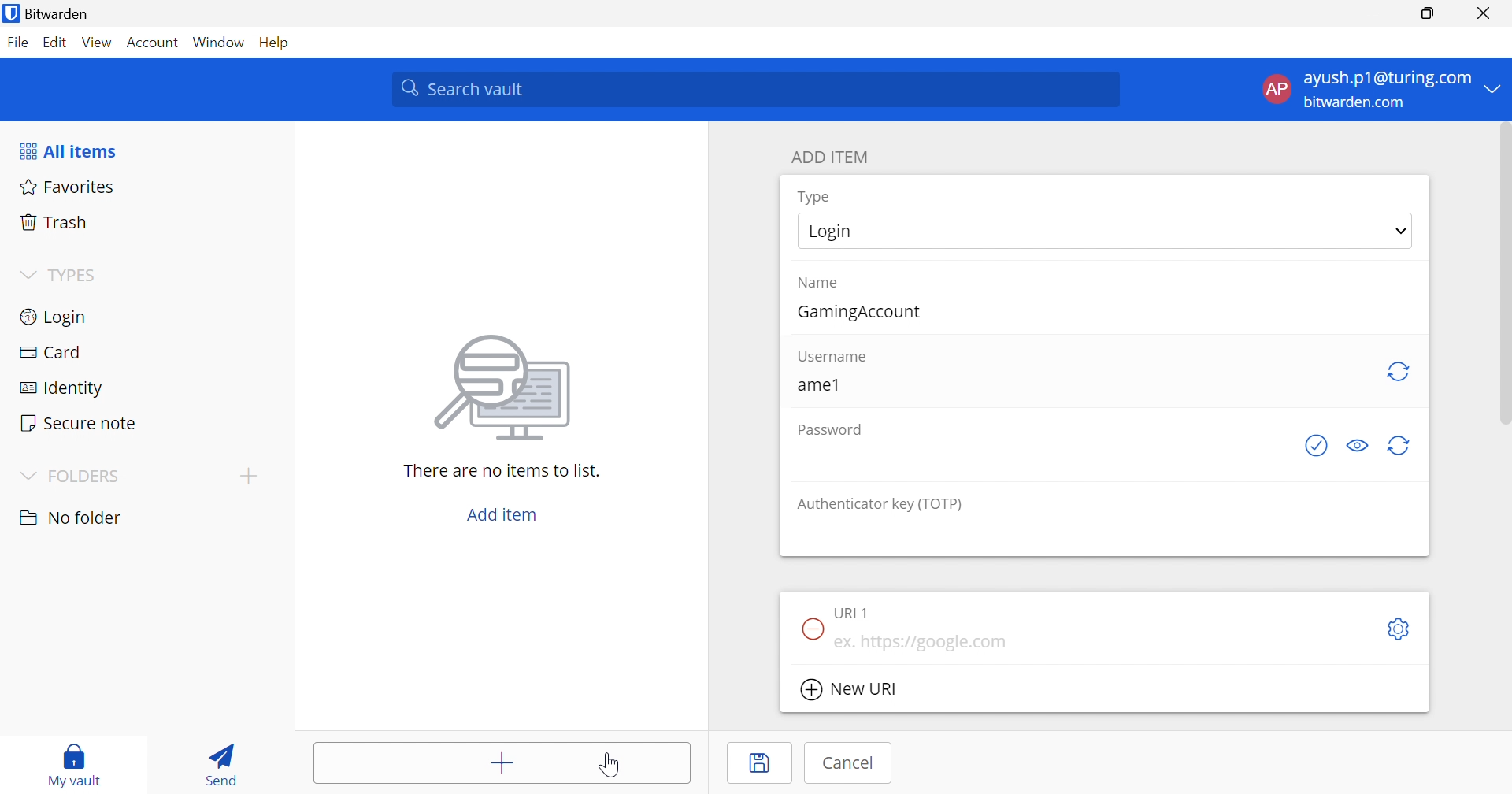 The image size is (1512, 794). What do you see at coordinates (834, 232) in the screenshot?
I see `Login` at bounding box center [834, 232].